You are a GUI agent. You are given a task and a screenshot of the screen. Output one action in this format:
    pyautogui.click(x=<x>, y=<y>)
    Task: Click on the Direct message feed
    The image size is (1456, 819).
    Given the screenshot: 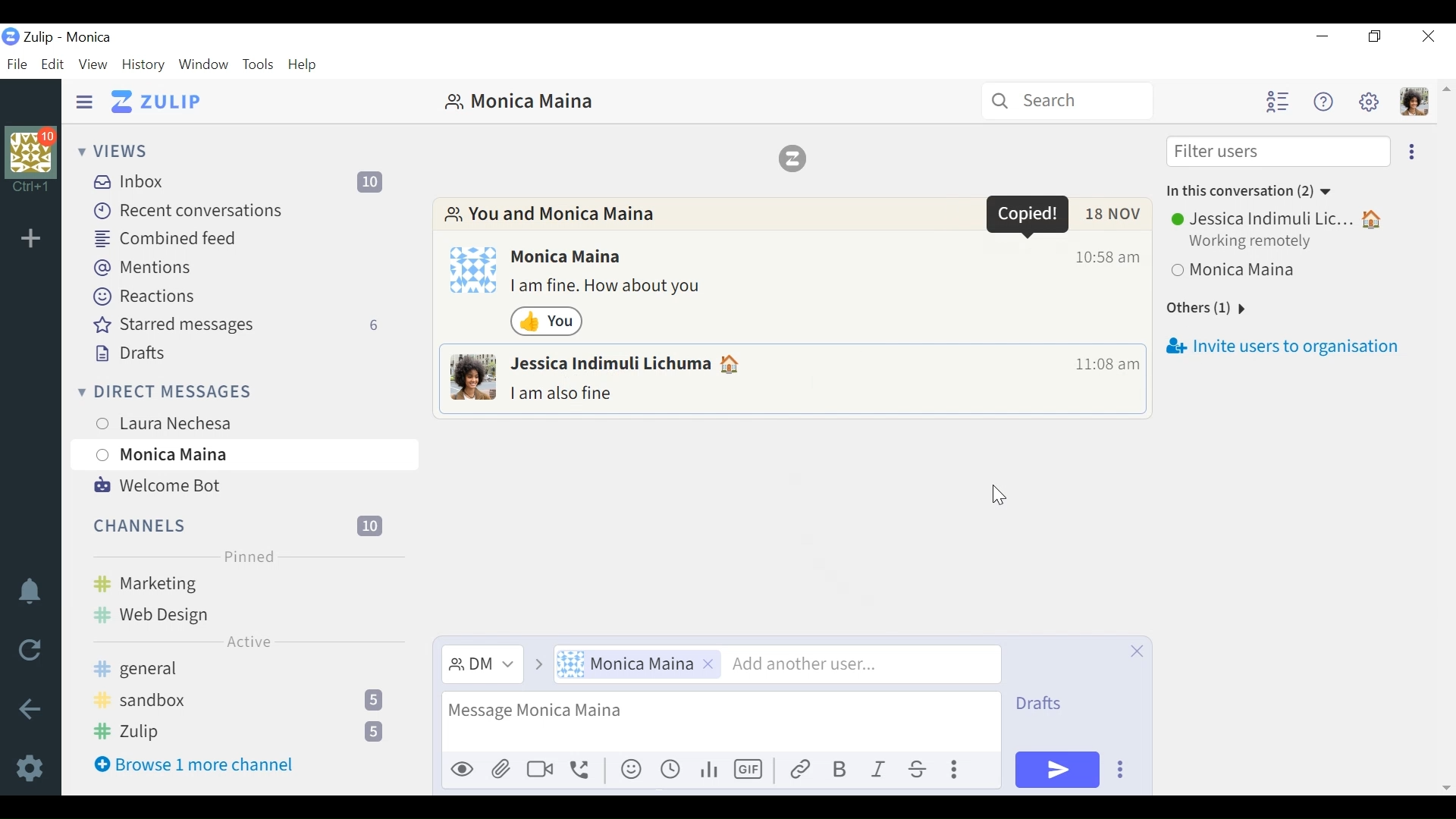 What is the action you would take?
    pyautogui.click(x=345, y=391)
    